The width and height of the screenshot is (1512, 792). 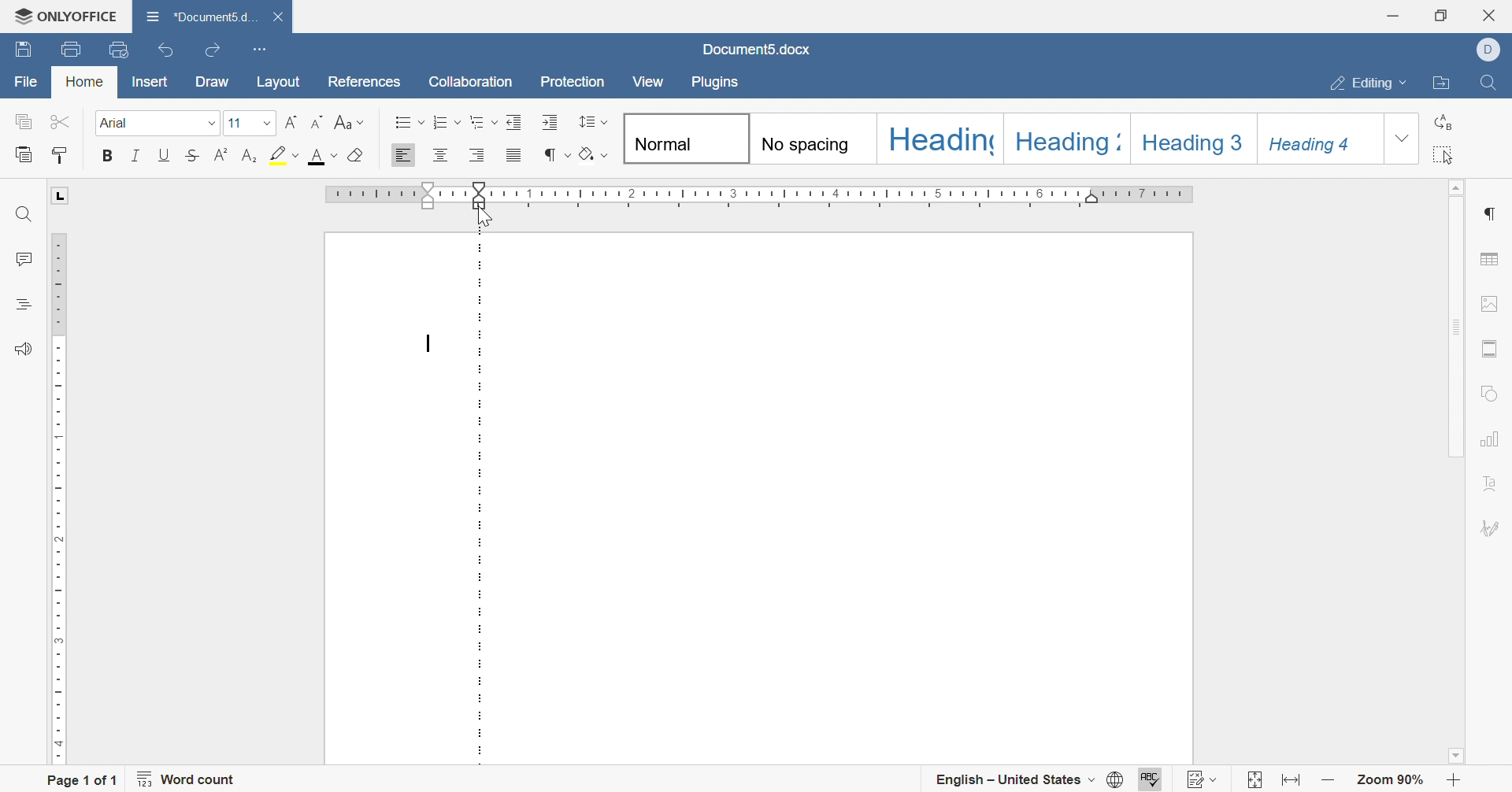 What do you see at coordinates (717, 85) in the screenshot?
I see `plugins` at bounding box center [717, 85].